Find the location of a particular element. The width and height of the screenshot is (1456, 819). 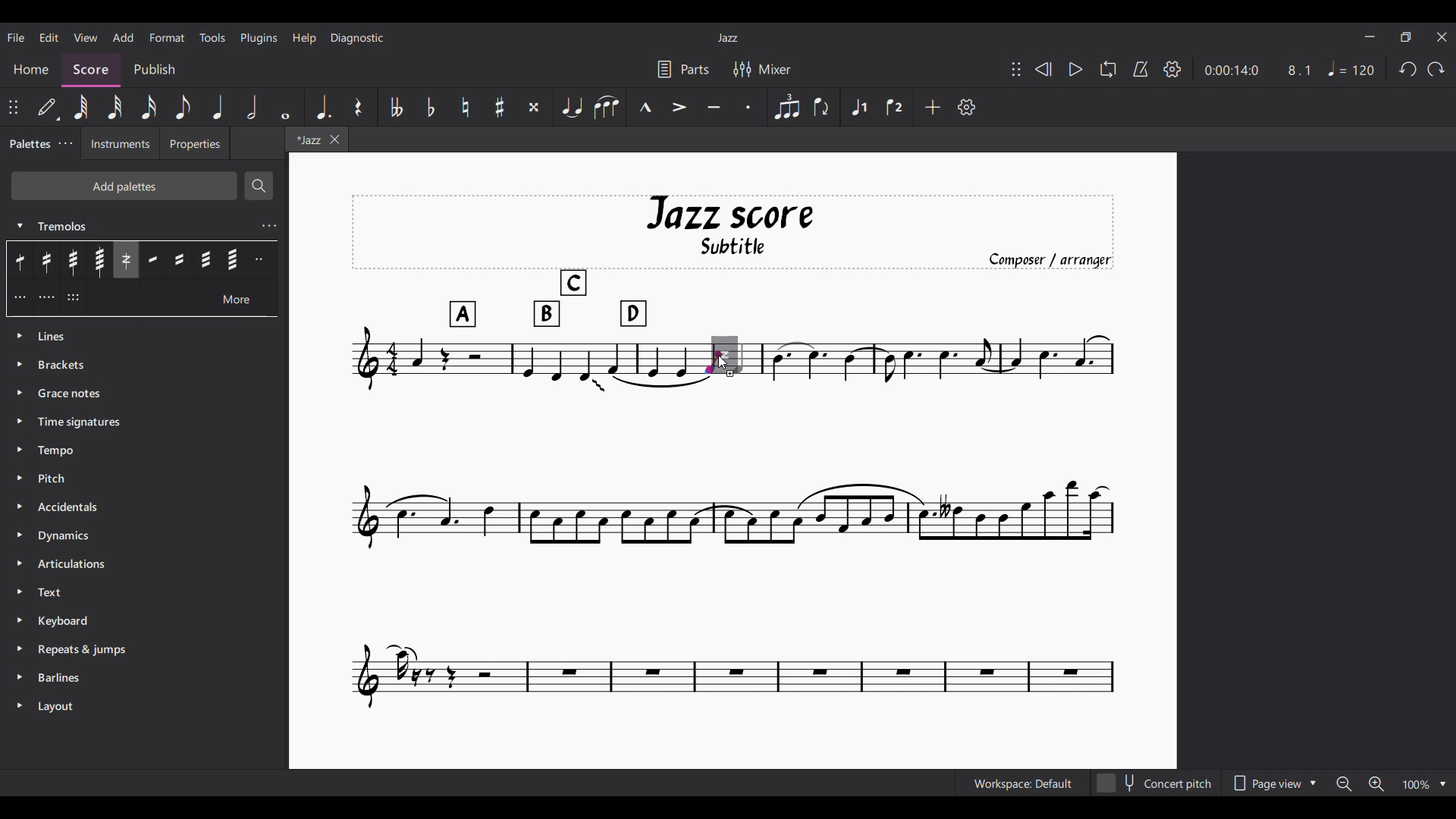

Mixer is located at coordinates (762, 69).